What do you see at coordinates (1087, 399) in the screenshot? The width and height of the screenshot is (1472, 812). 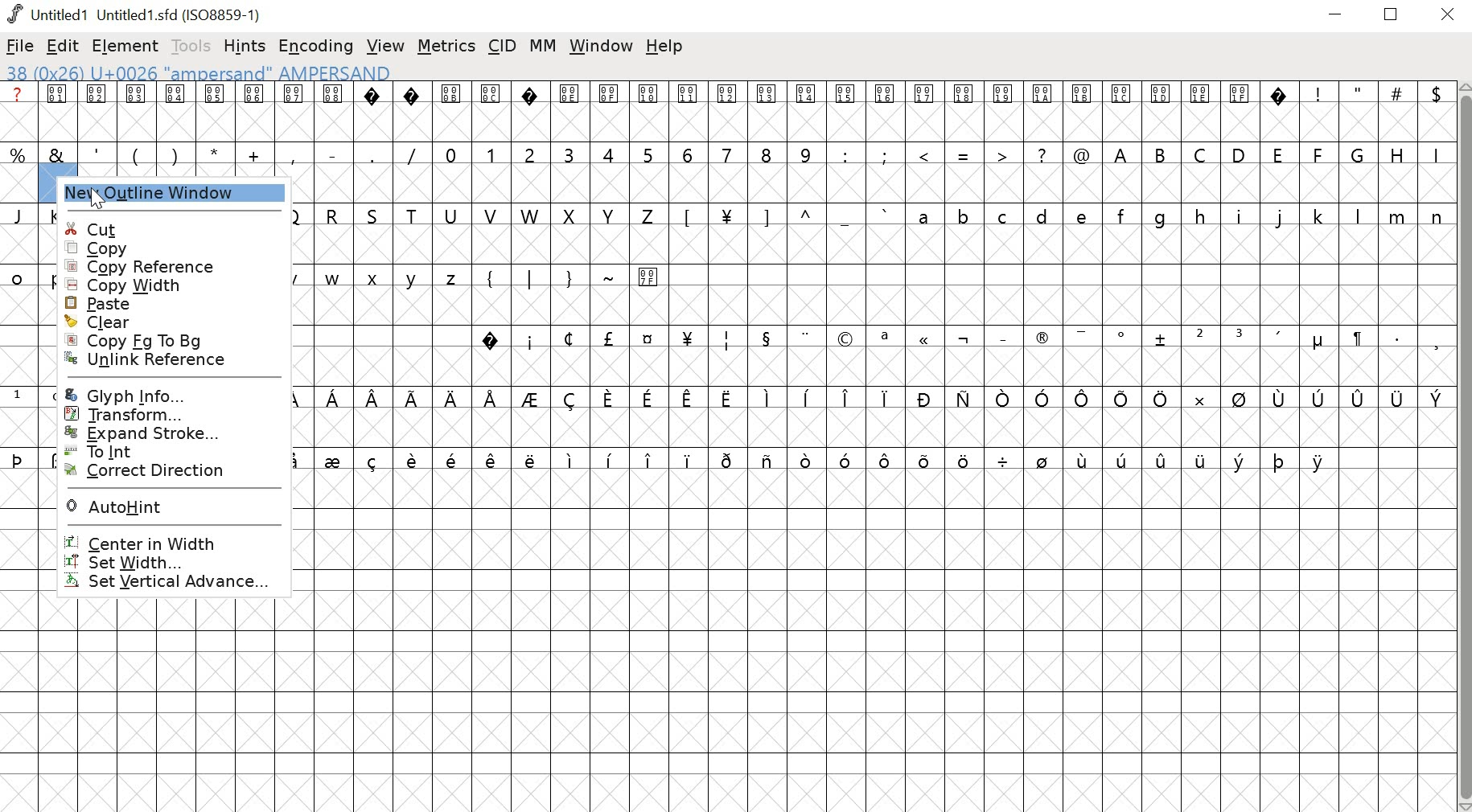 I see `symbol` at bounding box center [1087, 399].